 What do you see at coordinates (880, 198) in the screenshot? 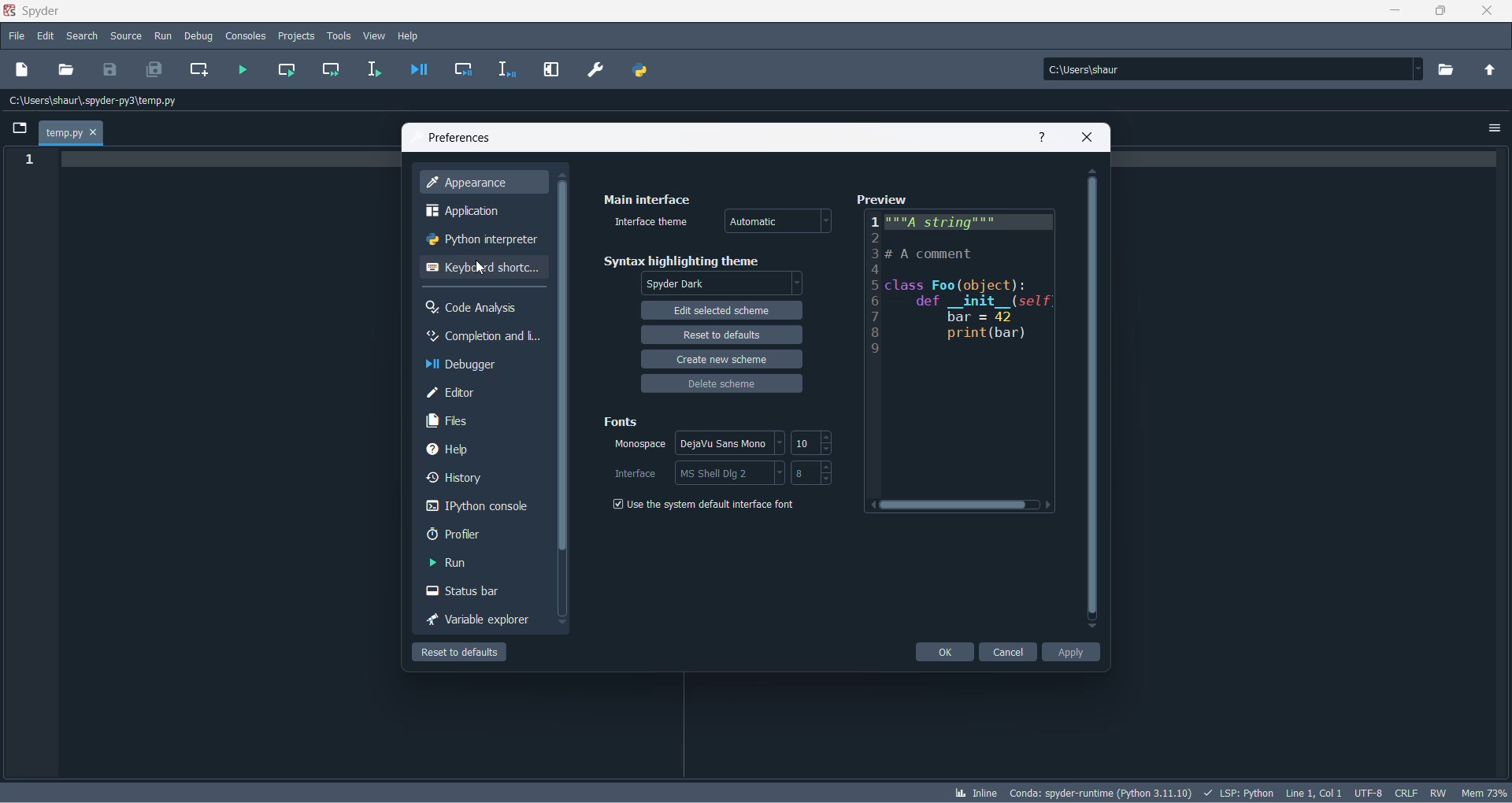
I see `preview` at bounding box center [880, 198].